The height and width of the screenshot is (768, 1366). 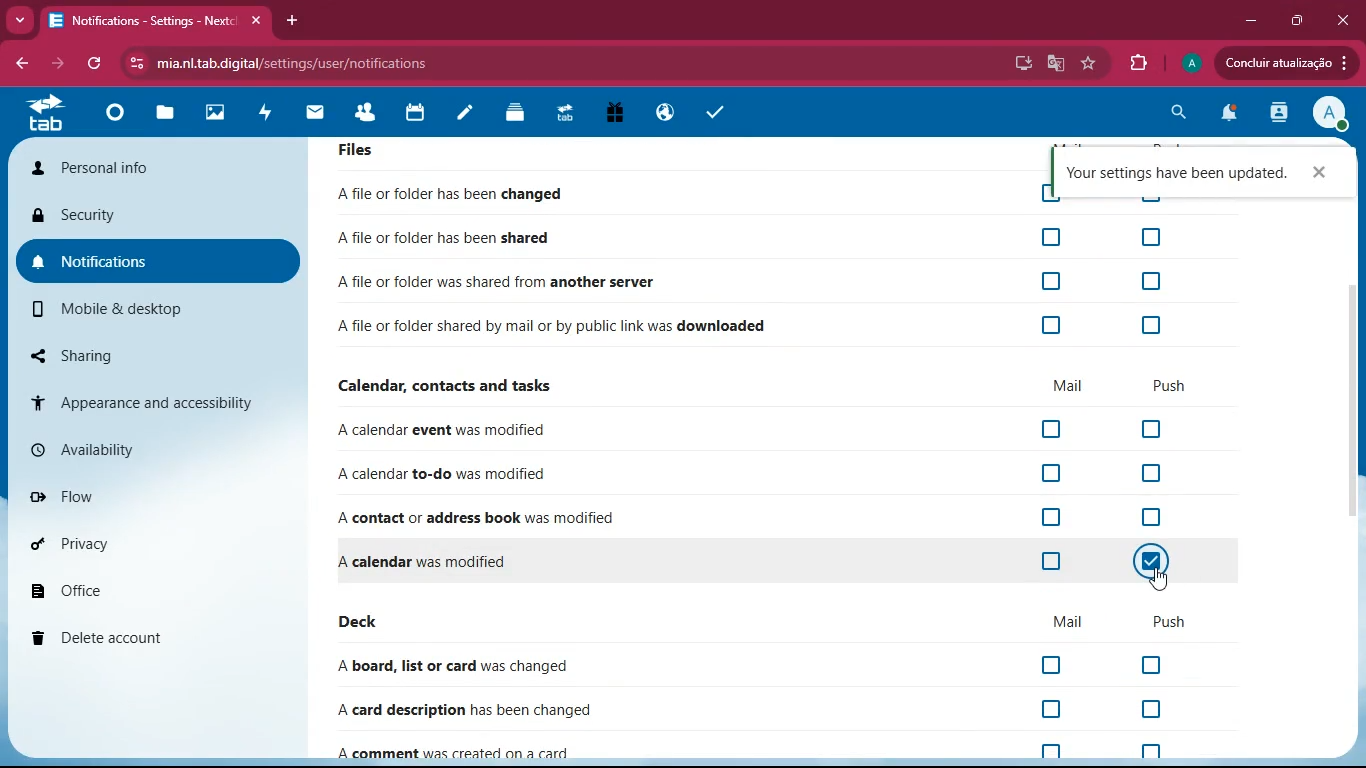 What do you see at coordinates (119, 353) in the screenshot?
I see `sharing` at bounding box center [119, 353].